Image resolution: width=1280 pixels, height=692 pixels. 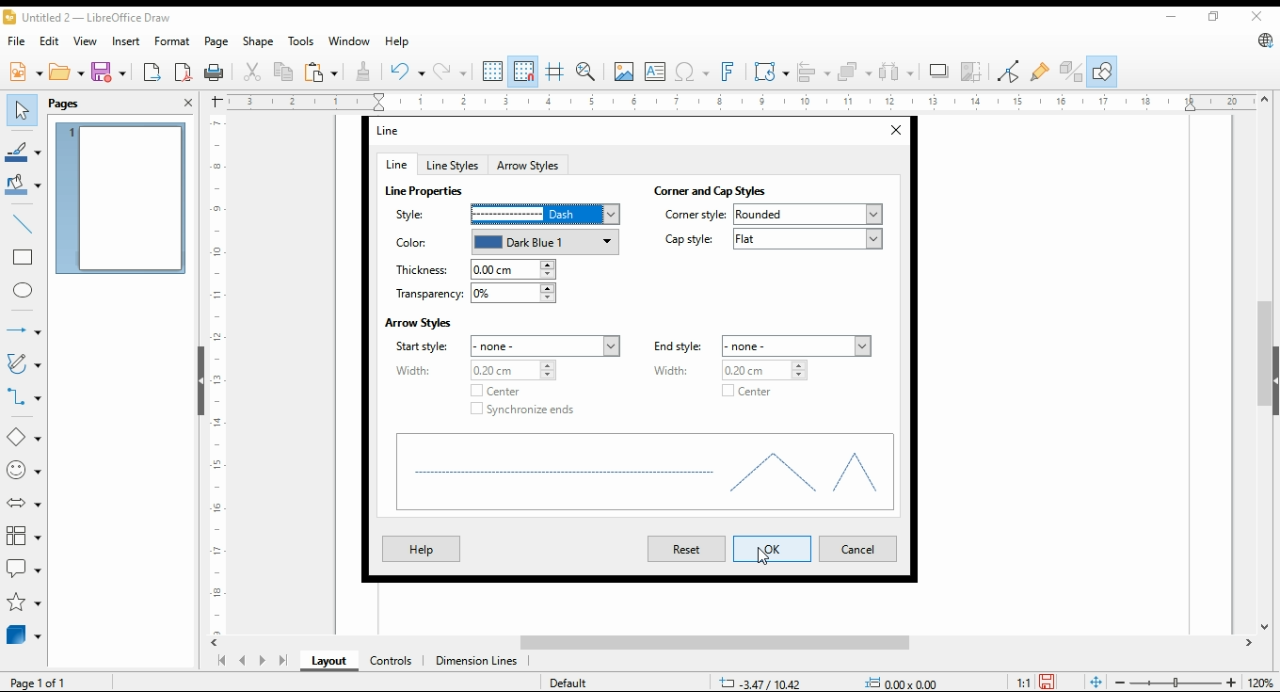 I want to click on pages, so click(x=70, y=102).